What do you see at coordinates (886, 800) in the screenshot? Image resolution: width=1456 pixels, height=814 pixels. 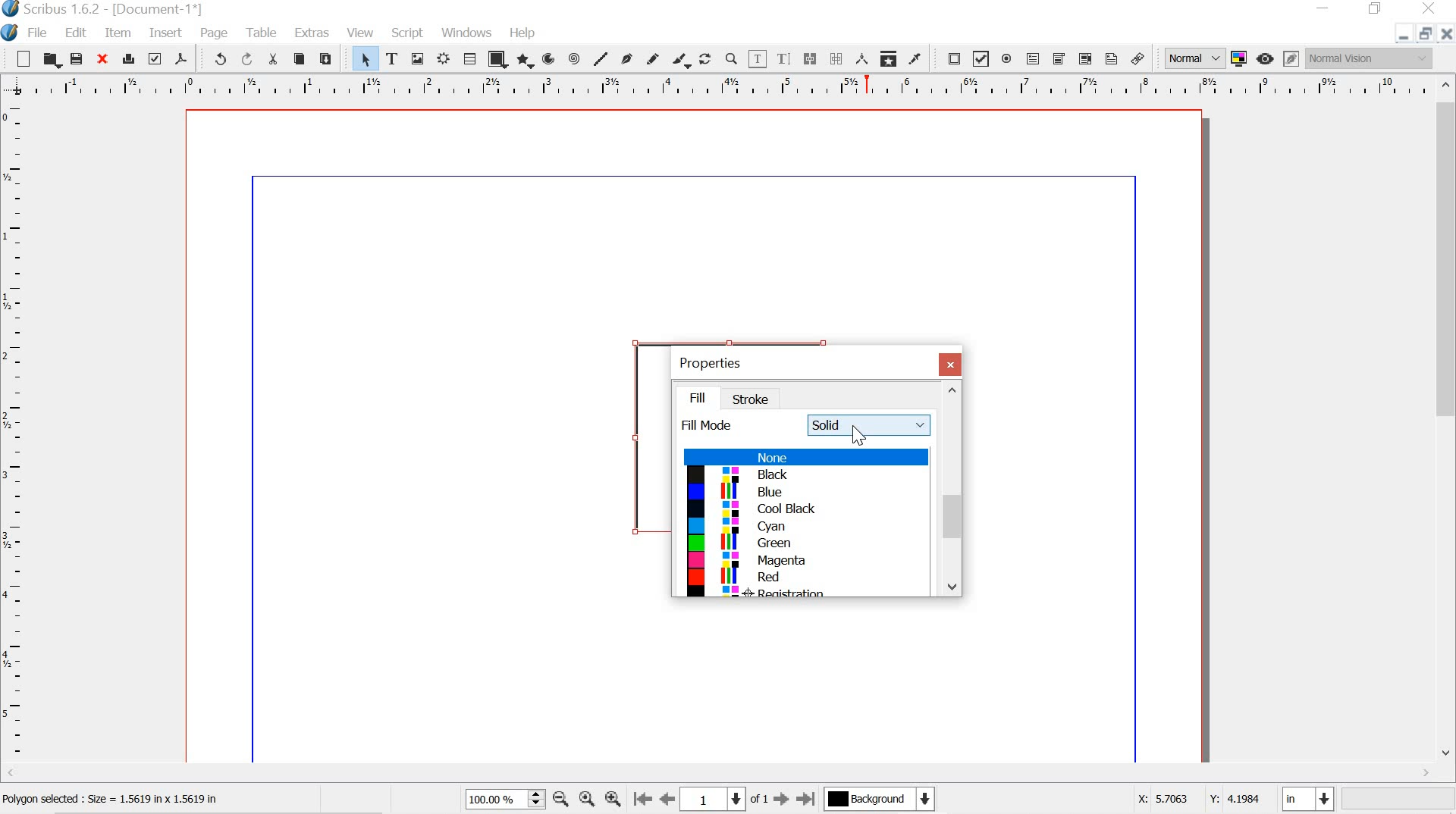 I see `background` at bounding box center [886, 800].